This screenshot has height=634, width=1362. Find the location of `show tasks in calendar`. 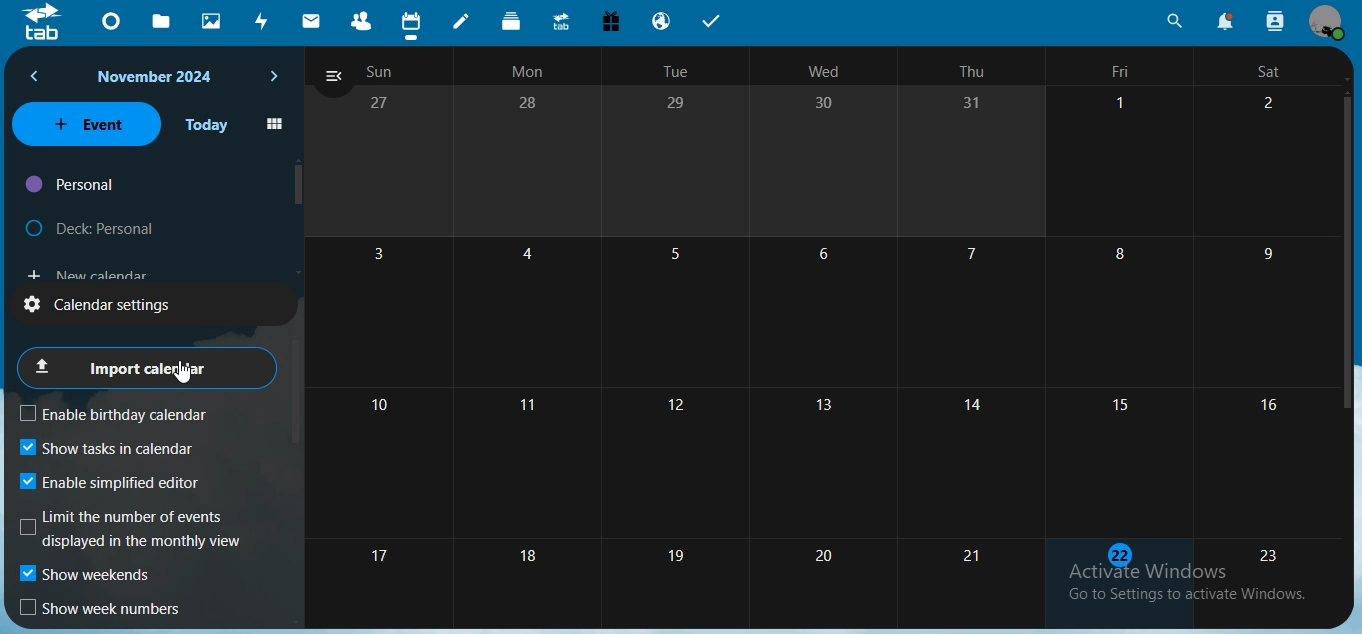

show tasks in calendar is located at coordinates (107, 449).